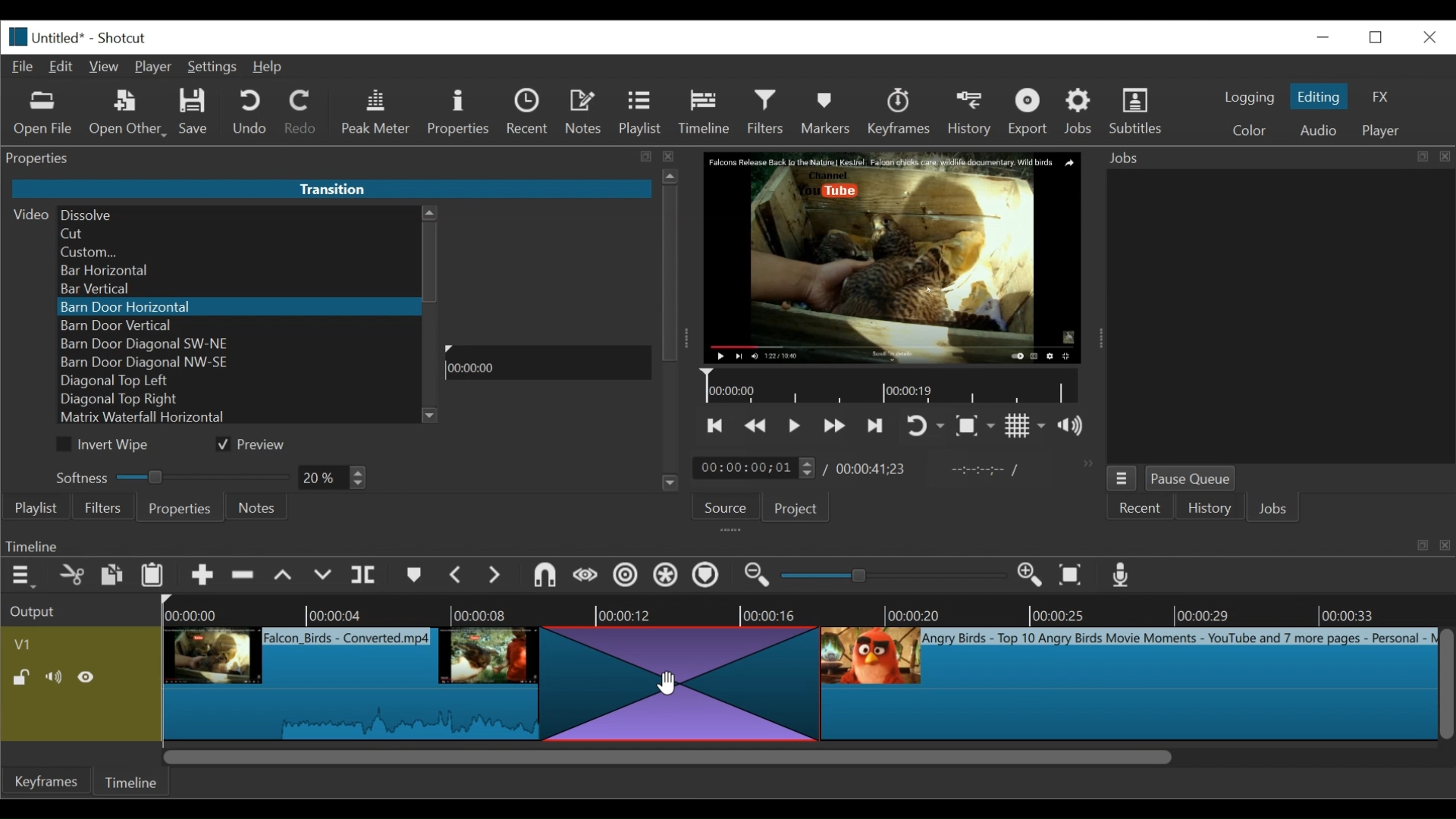 Image resolution: width=1456 pixels, height=819 pixels. What do you see at coordinates (179, 507) in the screenshot?
I see `Properties` at bounding box center [179, 507].